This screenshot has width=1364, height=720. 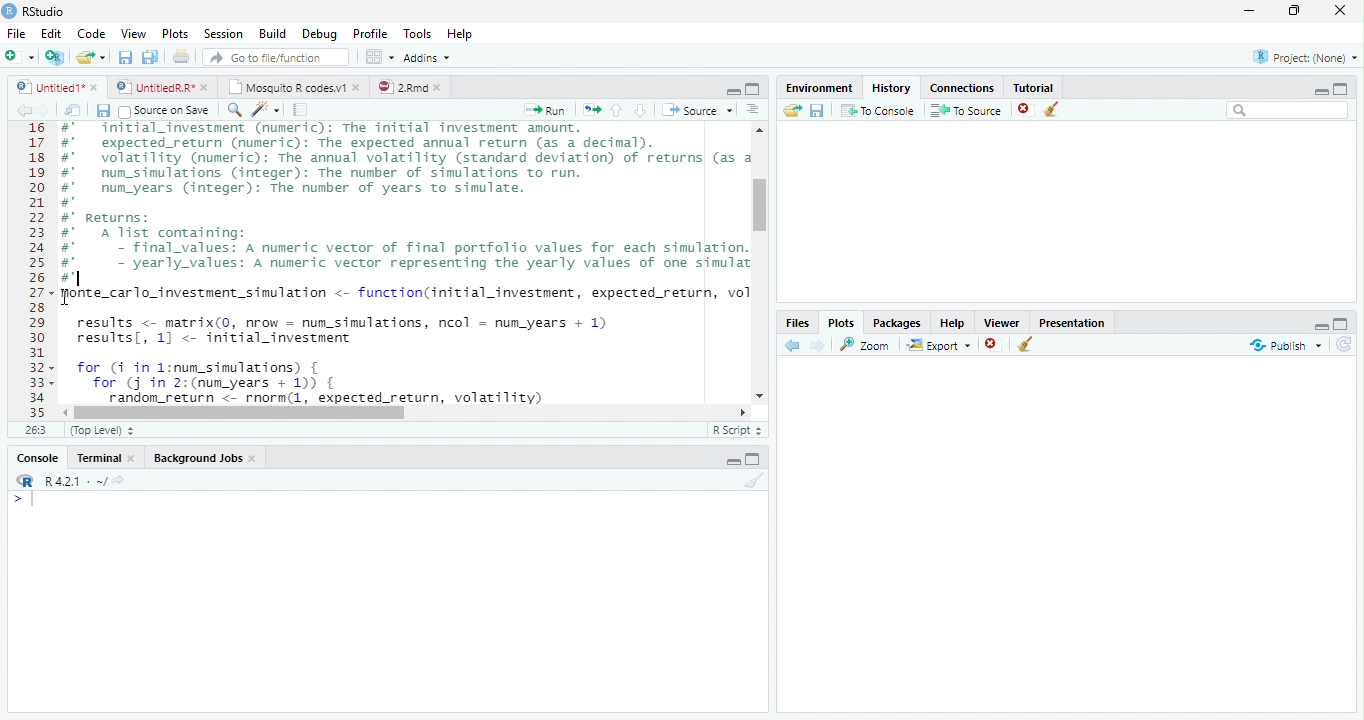 What do you see at coordinates (1072, 321) in the screenshot?
I see `Presentation` at bounding box center [1072, 321].